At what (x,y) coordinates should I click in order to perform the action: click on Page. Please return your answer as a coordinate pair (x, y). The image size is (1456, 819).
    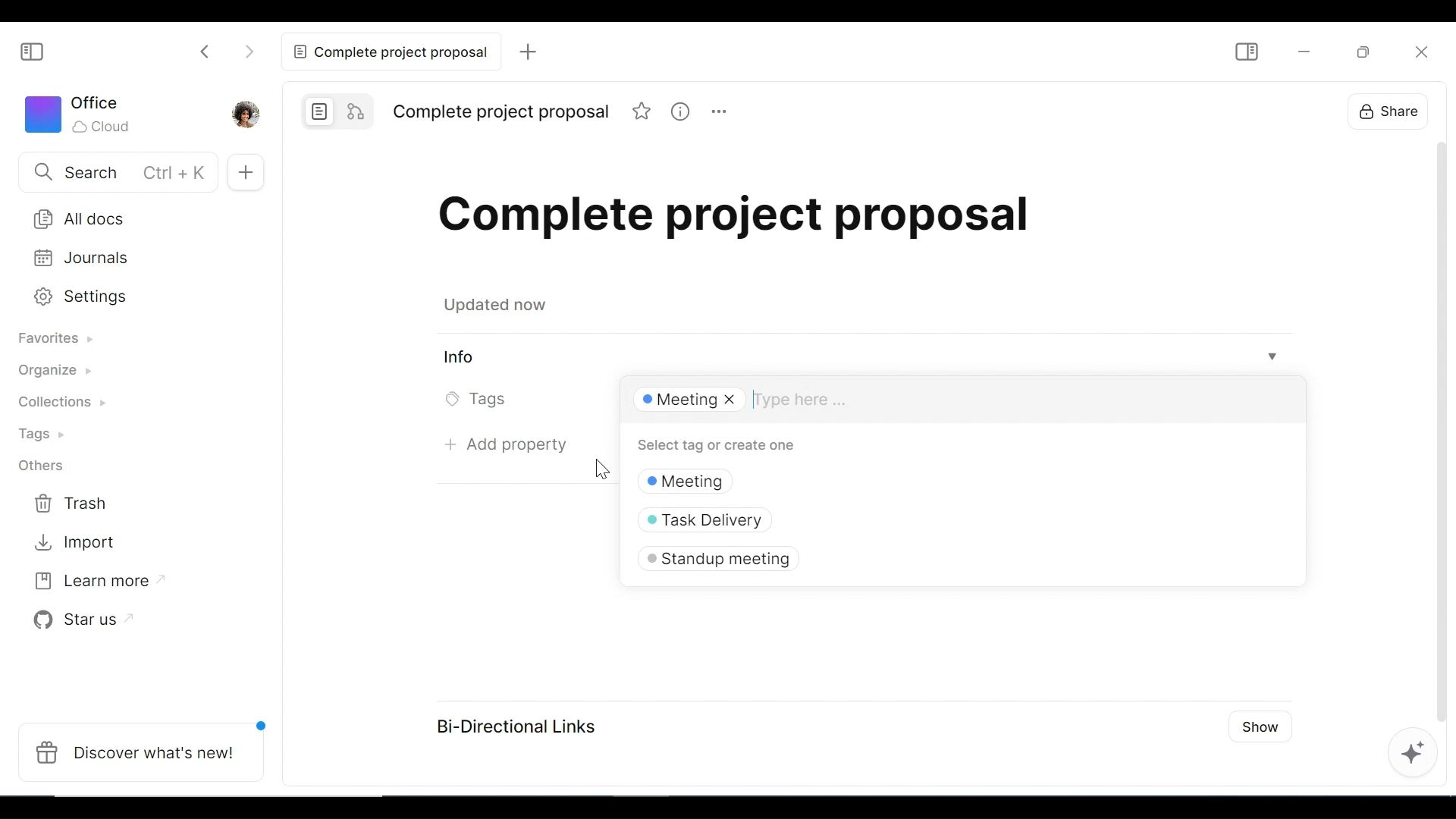
    Looking at the image, I should click on (319, 111).